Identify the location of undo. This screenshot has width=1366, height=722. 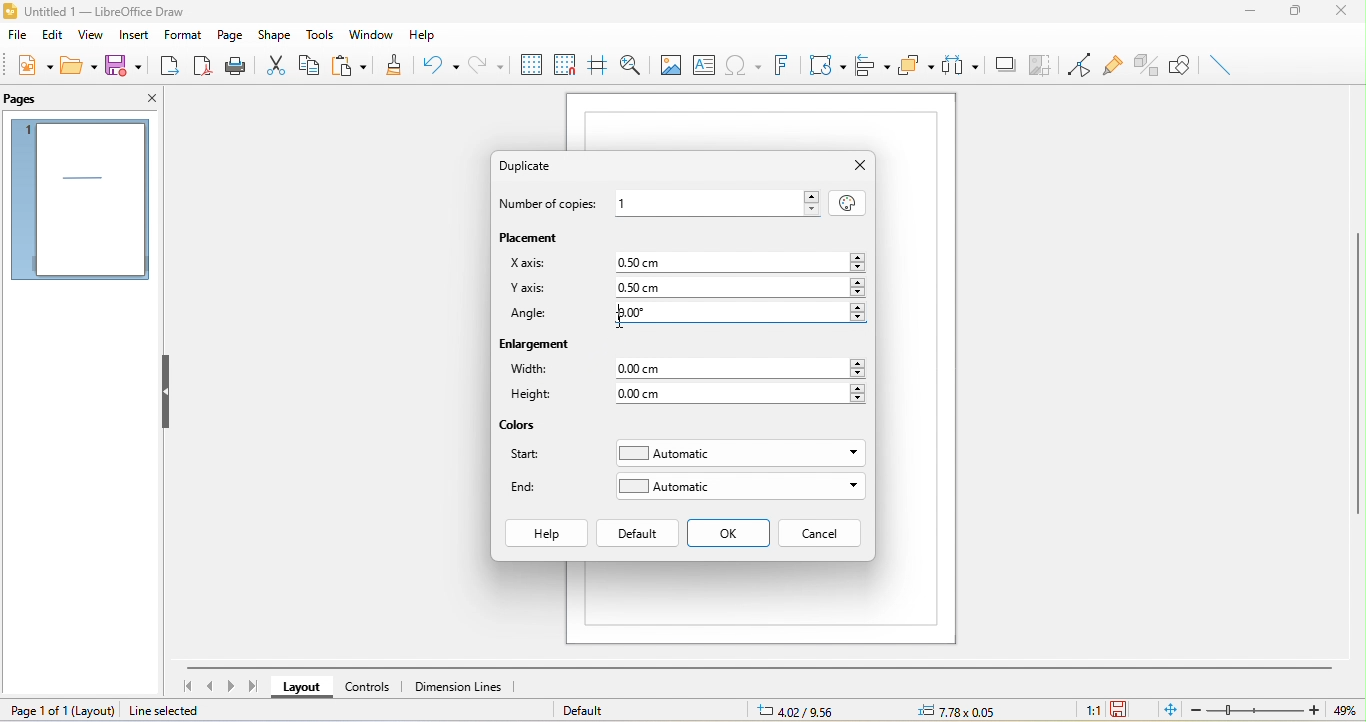
(441, 67).